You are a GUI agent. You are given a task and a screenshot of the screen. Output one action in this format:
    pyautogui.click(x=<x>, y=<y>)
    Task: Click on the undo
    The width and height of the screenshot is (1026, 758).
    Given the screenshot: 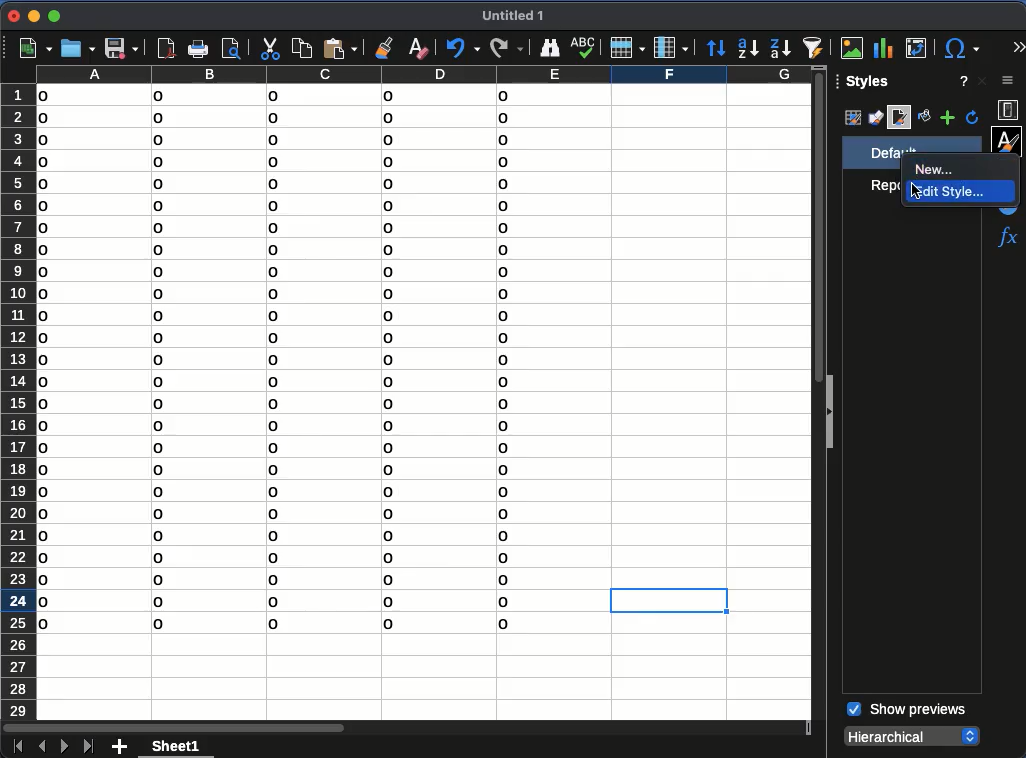 What is the action you would take?
    pyautogui.click(x=463, y=49)
    